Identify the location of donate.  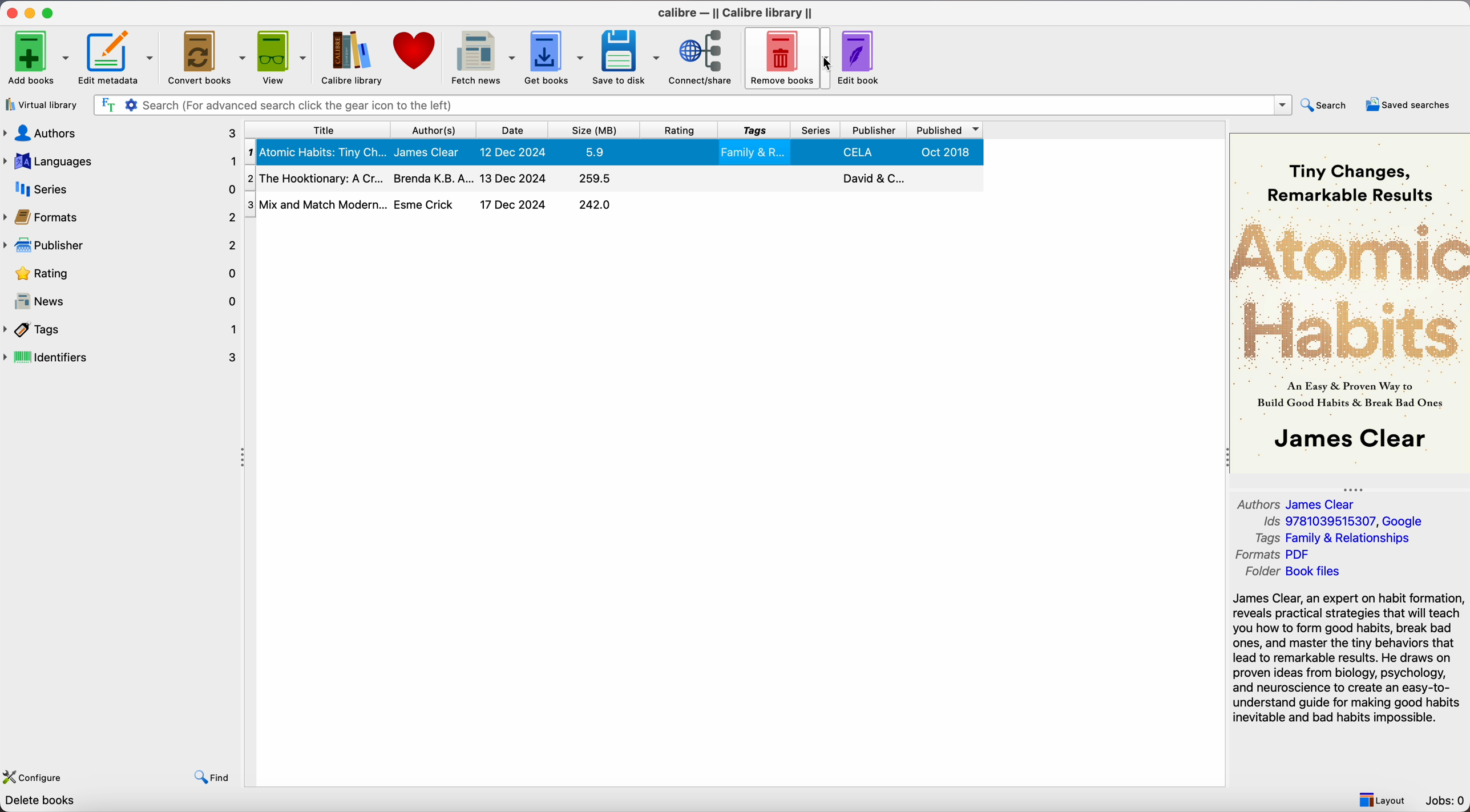
(415, 49).